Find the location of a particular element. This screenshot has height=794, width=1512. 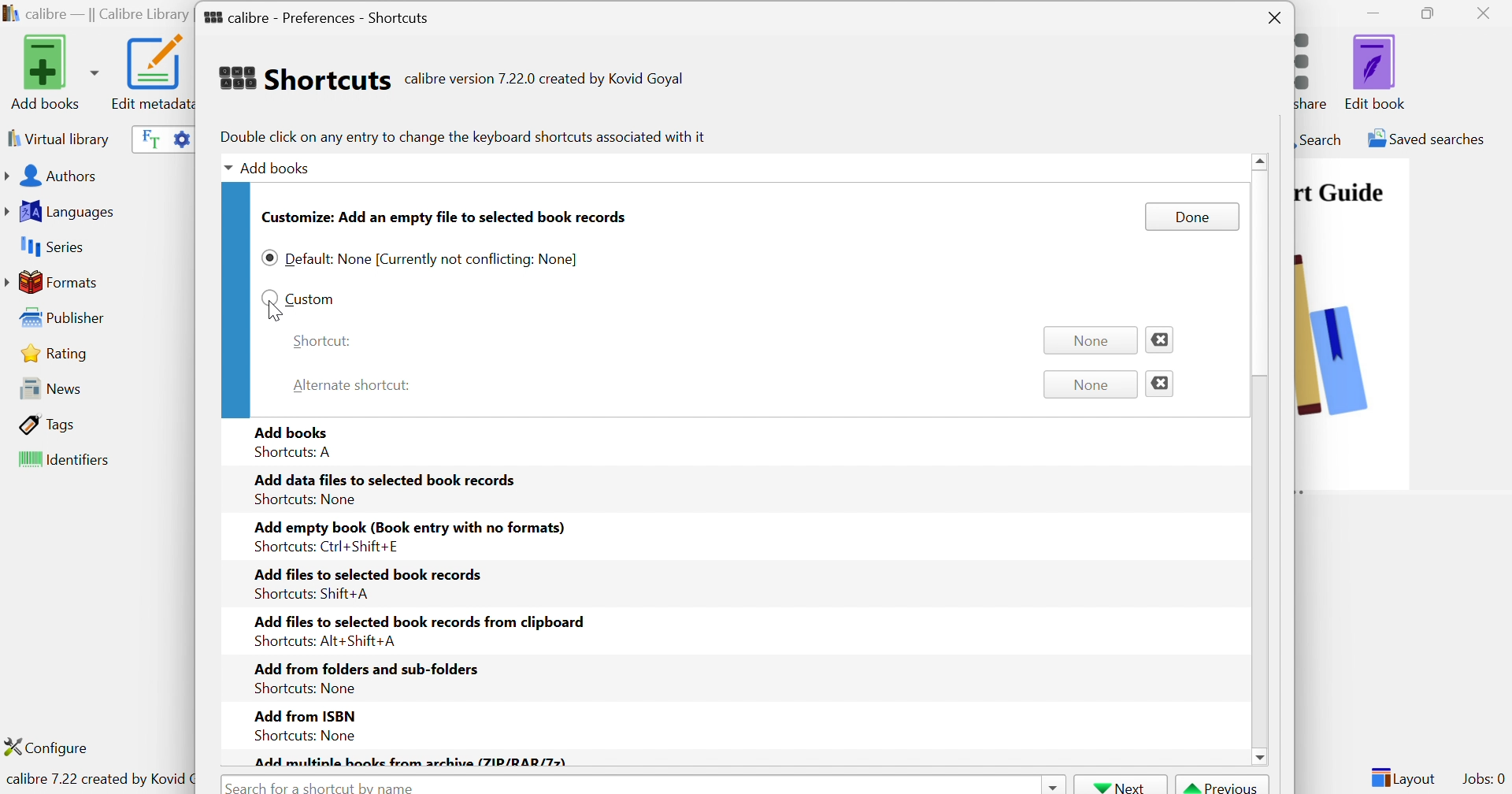

Add files to selected book records from clipboard is located at coordinates (423, 621).